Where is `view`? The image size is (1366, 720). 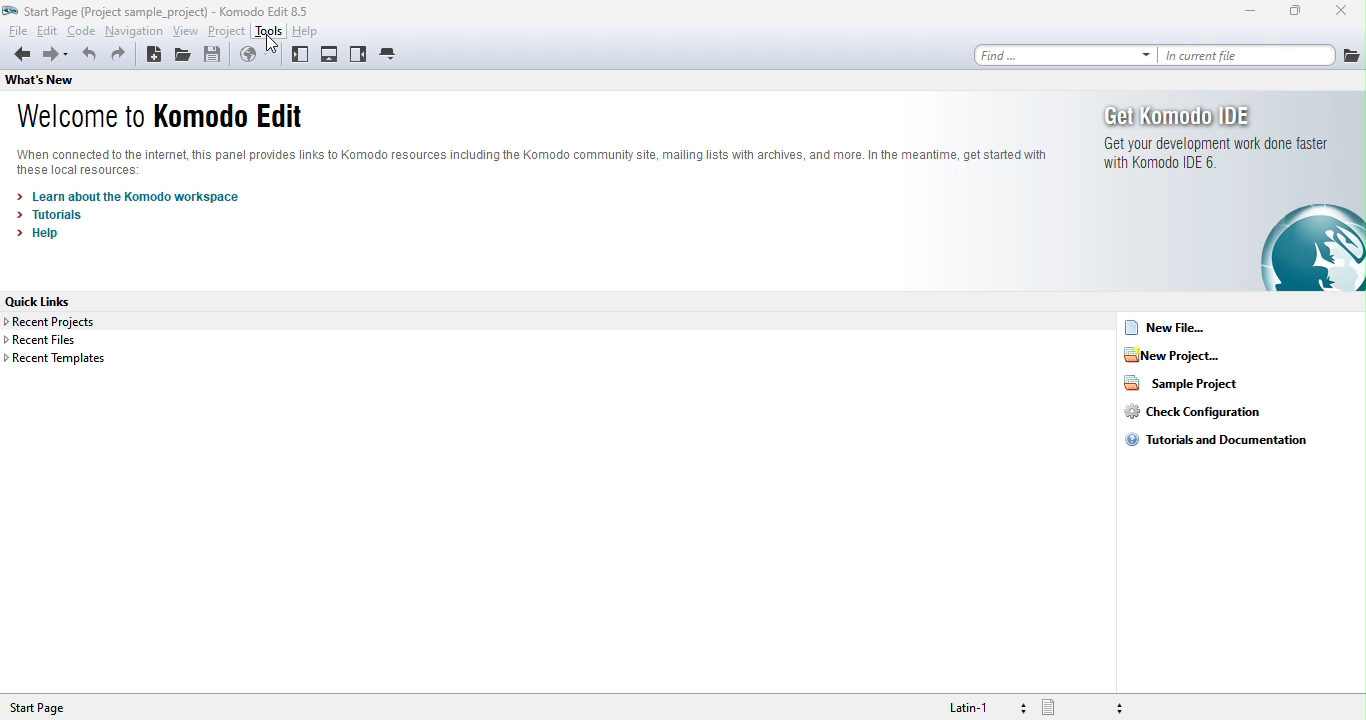 view is located at coordinates (187, 32).